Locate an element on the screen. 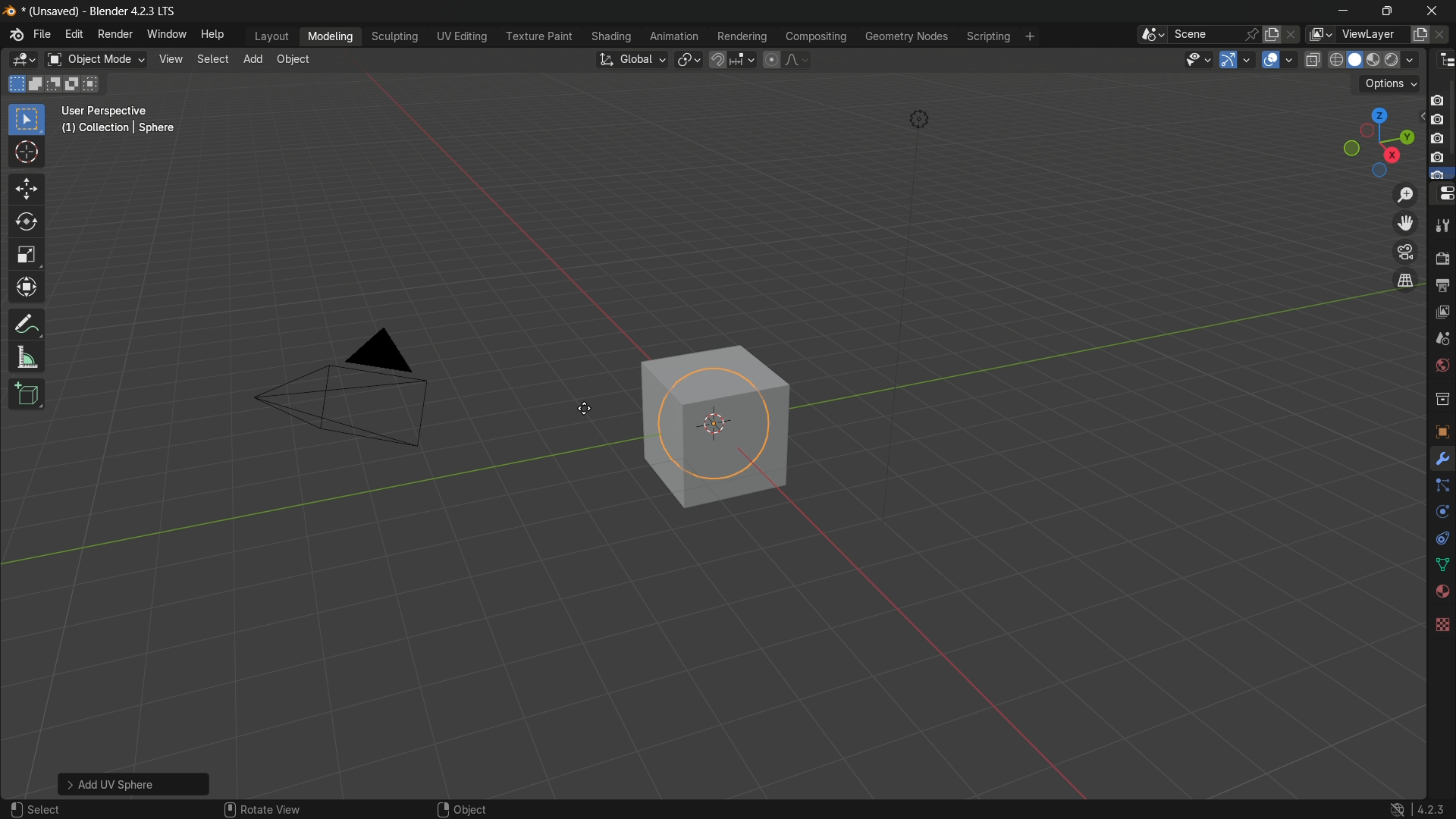 The width and height of the screenshot is (1456, 819). uv editing menu is located at coordinates (462, 36).